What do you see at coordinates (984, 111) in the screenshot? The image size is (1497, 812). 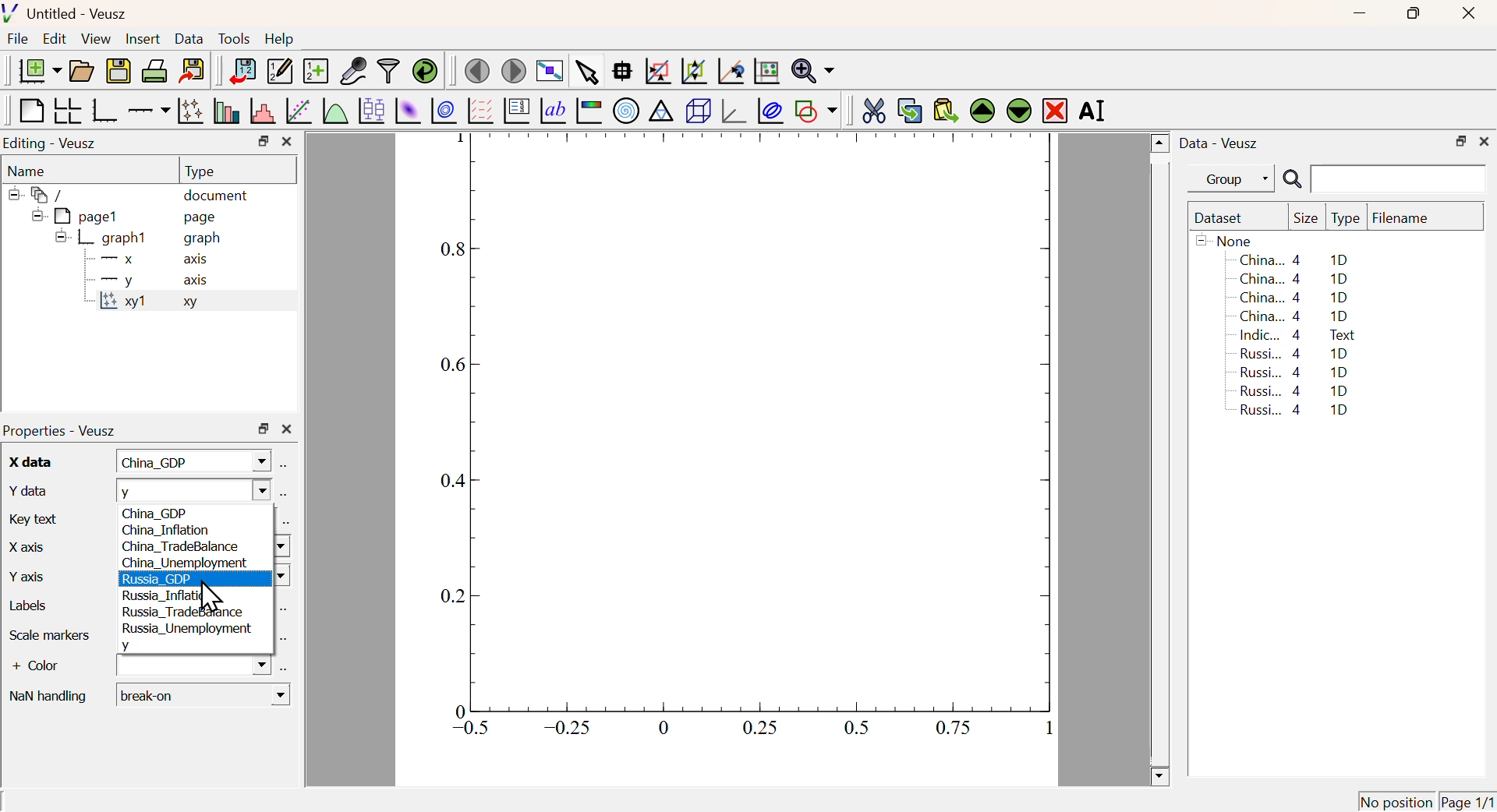 I see `Move Up` at bounding box center [984, 111].